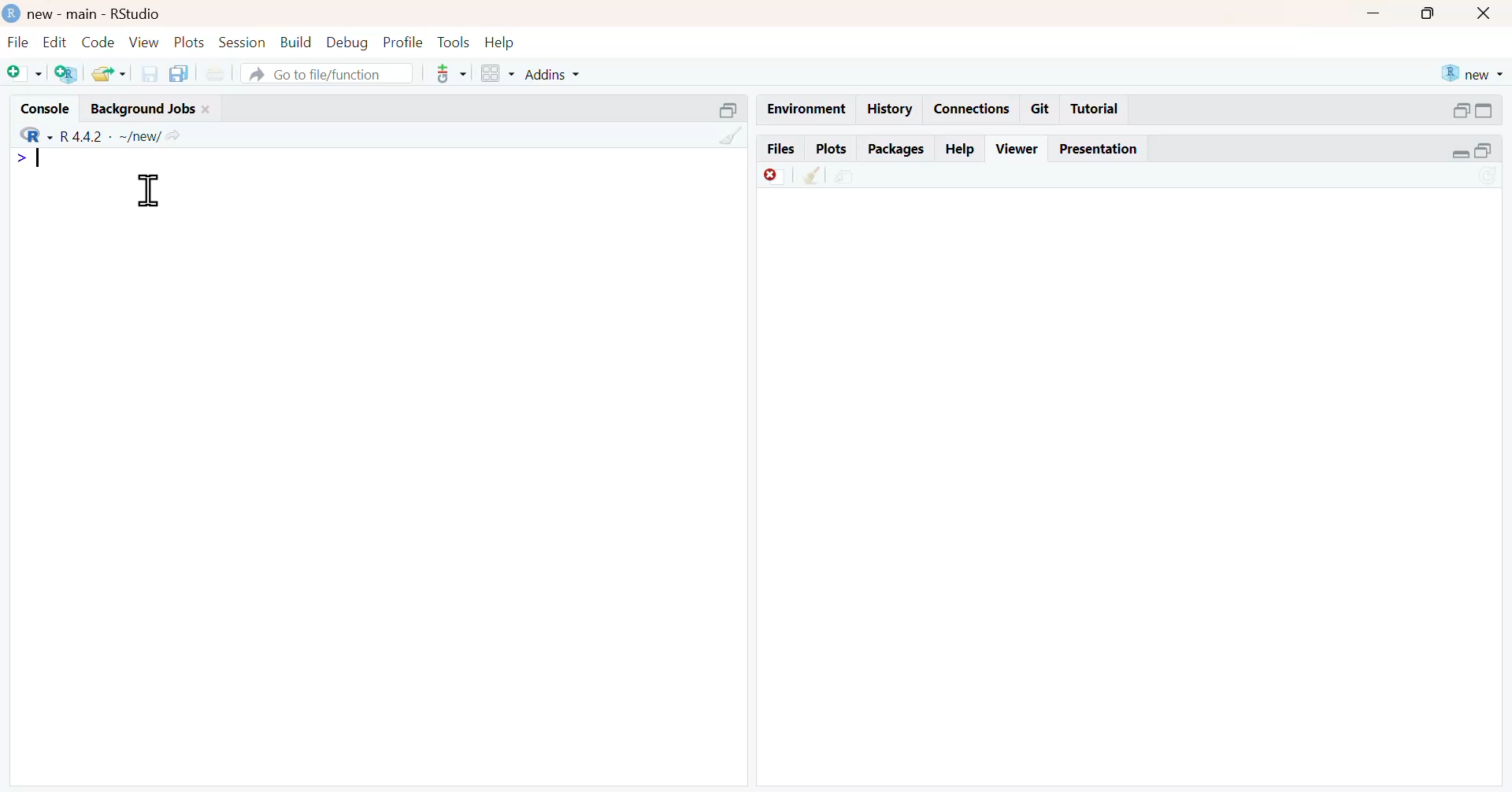 This screenshot has width=1512, height=792. What do you see at coordinates (726, 109) in the screenshot?
I see `maximize` at bounding box center [726, 109].